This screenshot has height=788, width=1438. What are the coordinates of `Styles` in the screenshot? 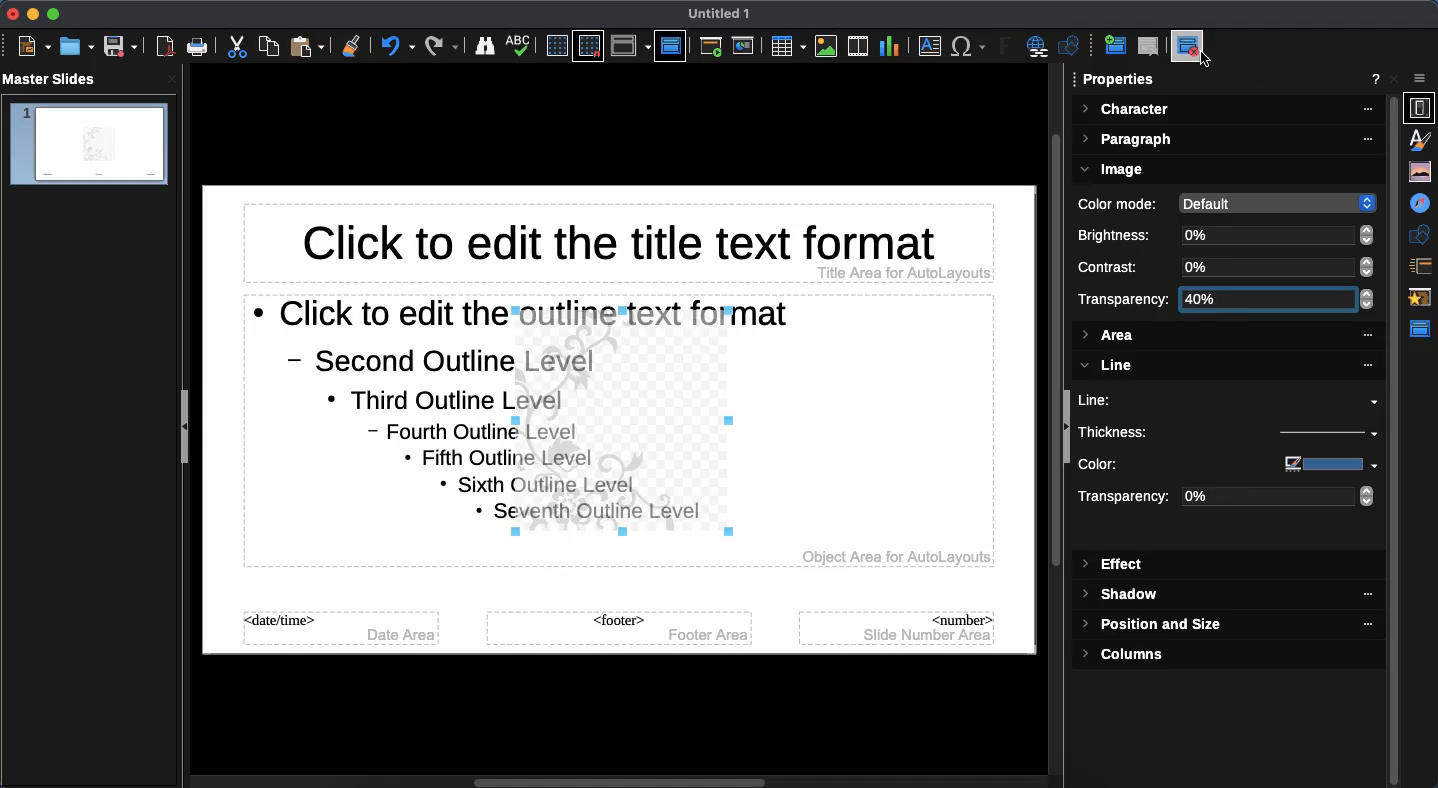 It's located at (1424, 139).